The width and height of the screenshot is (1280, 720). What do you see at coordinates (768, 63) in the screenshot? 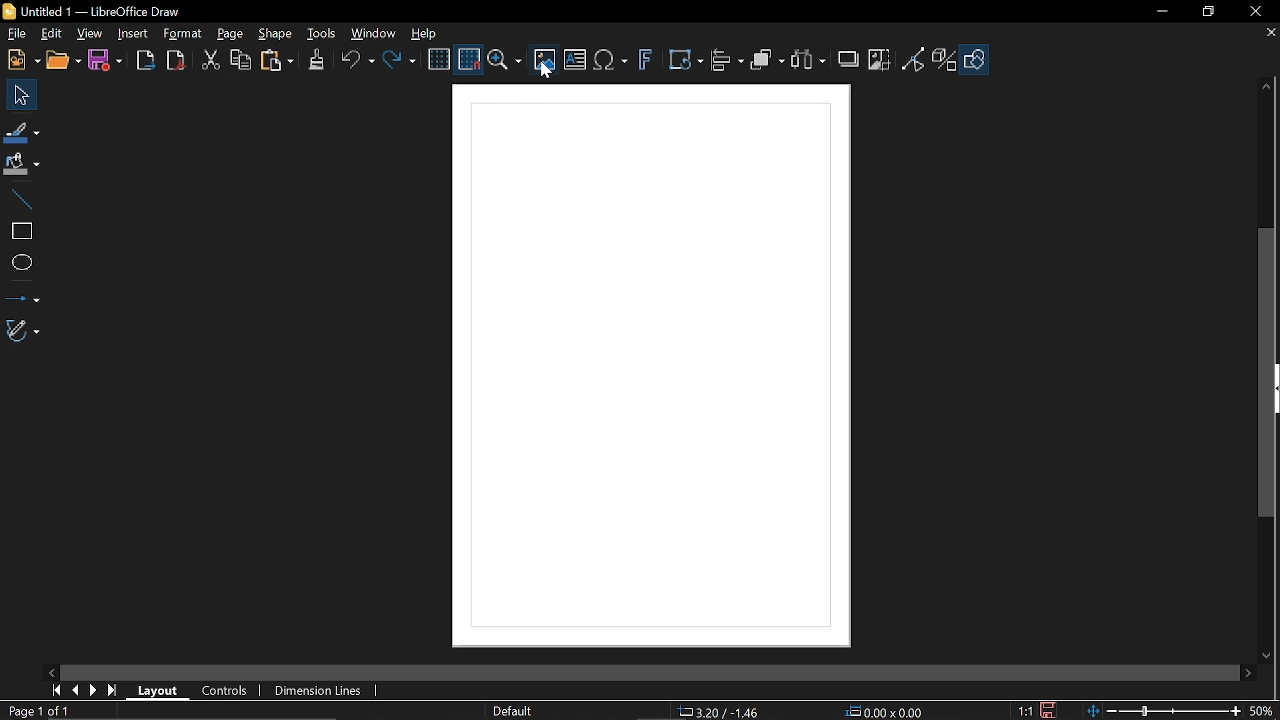
I see `Arrange` at bounding box center [768, 63].